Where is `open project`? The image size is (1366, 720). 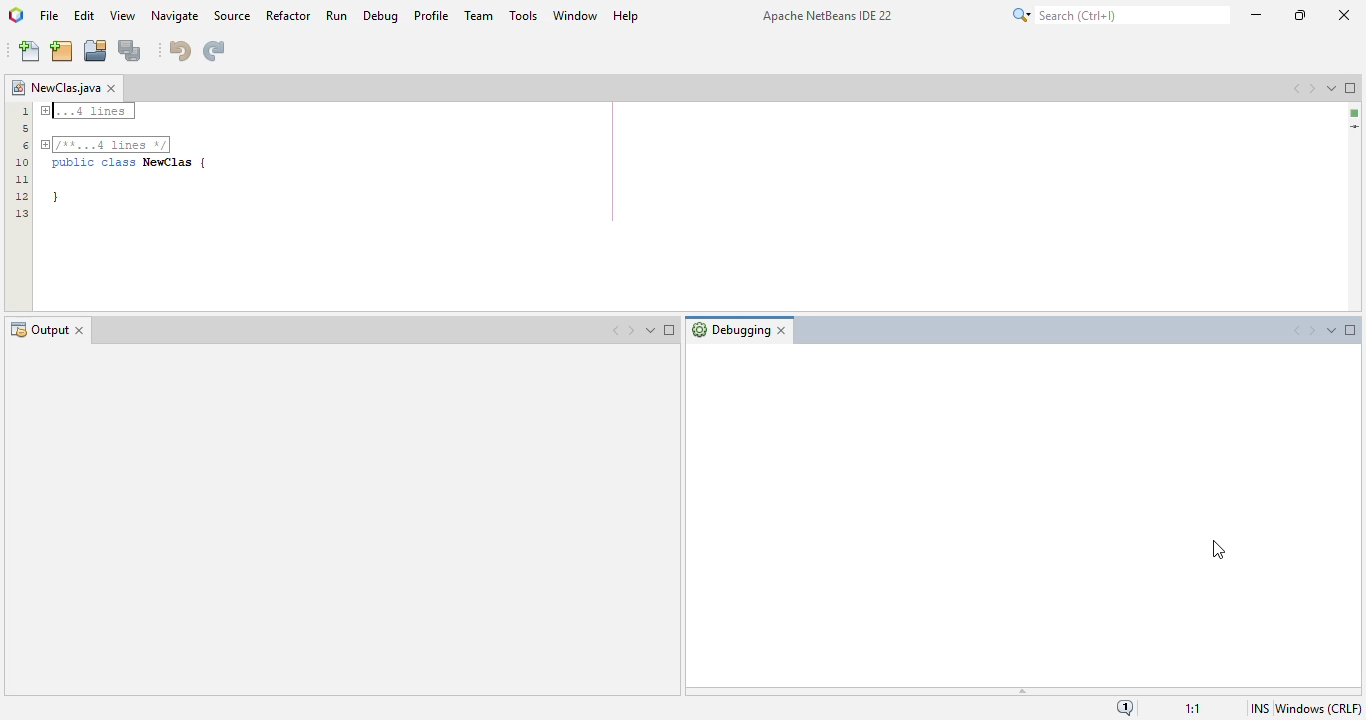 open project is located at coordinates (96, 52).